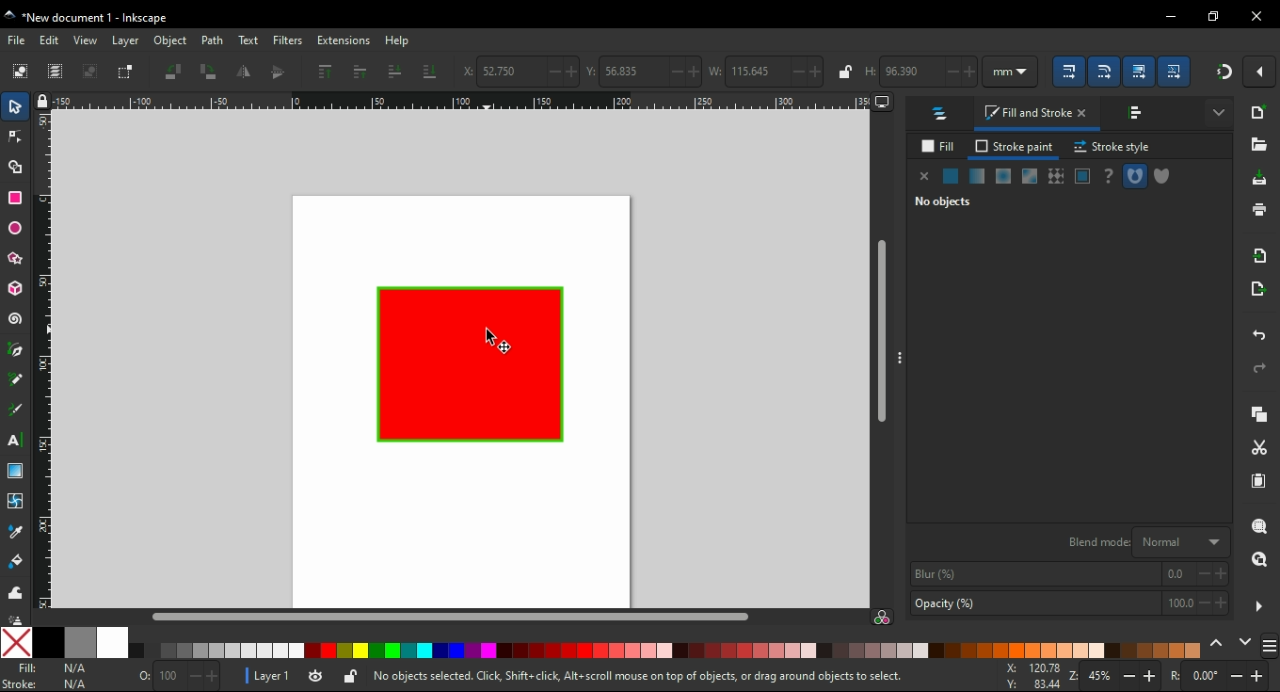  What do you see at coordinates (15, 562) in the screenshot?
I see `paint bucket tool` at bounding box center [15, 562].